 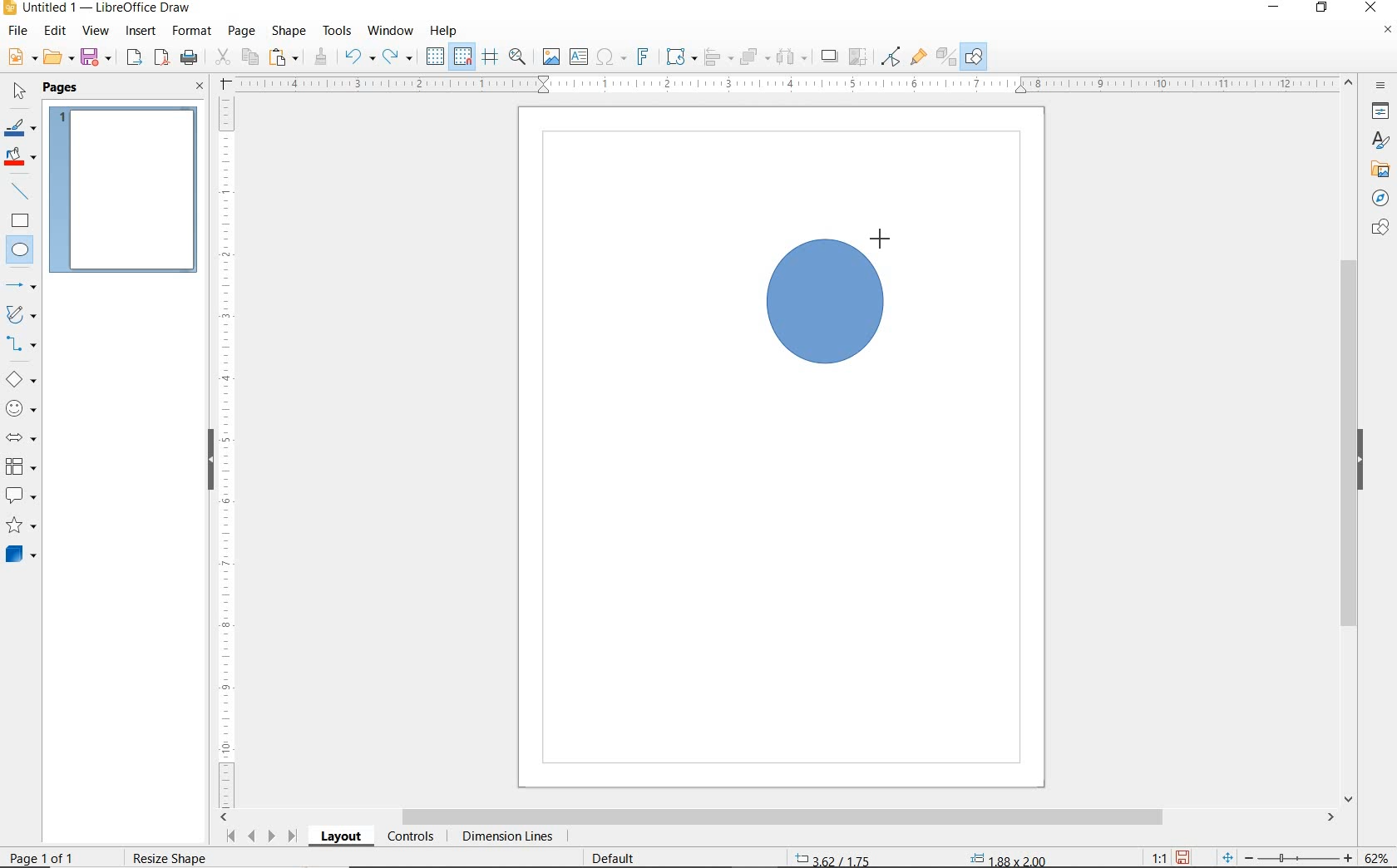 What do you see at coordinates (551, 57) in the screenshot?
I see `INSERT IMAGE` at bounding box center [551, 57].